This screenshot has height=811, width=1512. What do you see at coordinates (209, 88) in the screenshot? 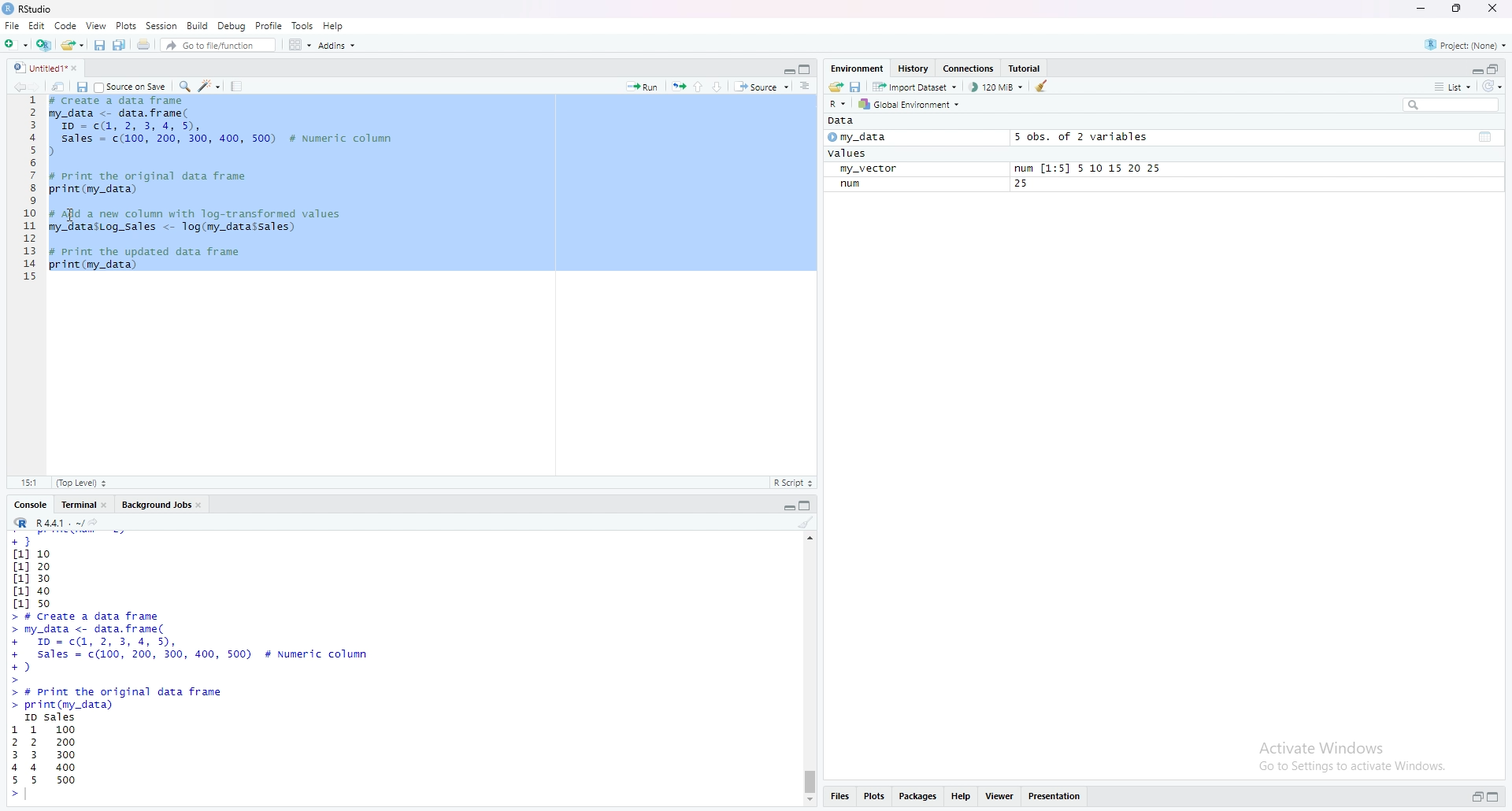
I see `code tools` at bounding box center [209, 88].